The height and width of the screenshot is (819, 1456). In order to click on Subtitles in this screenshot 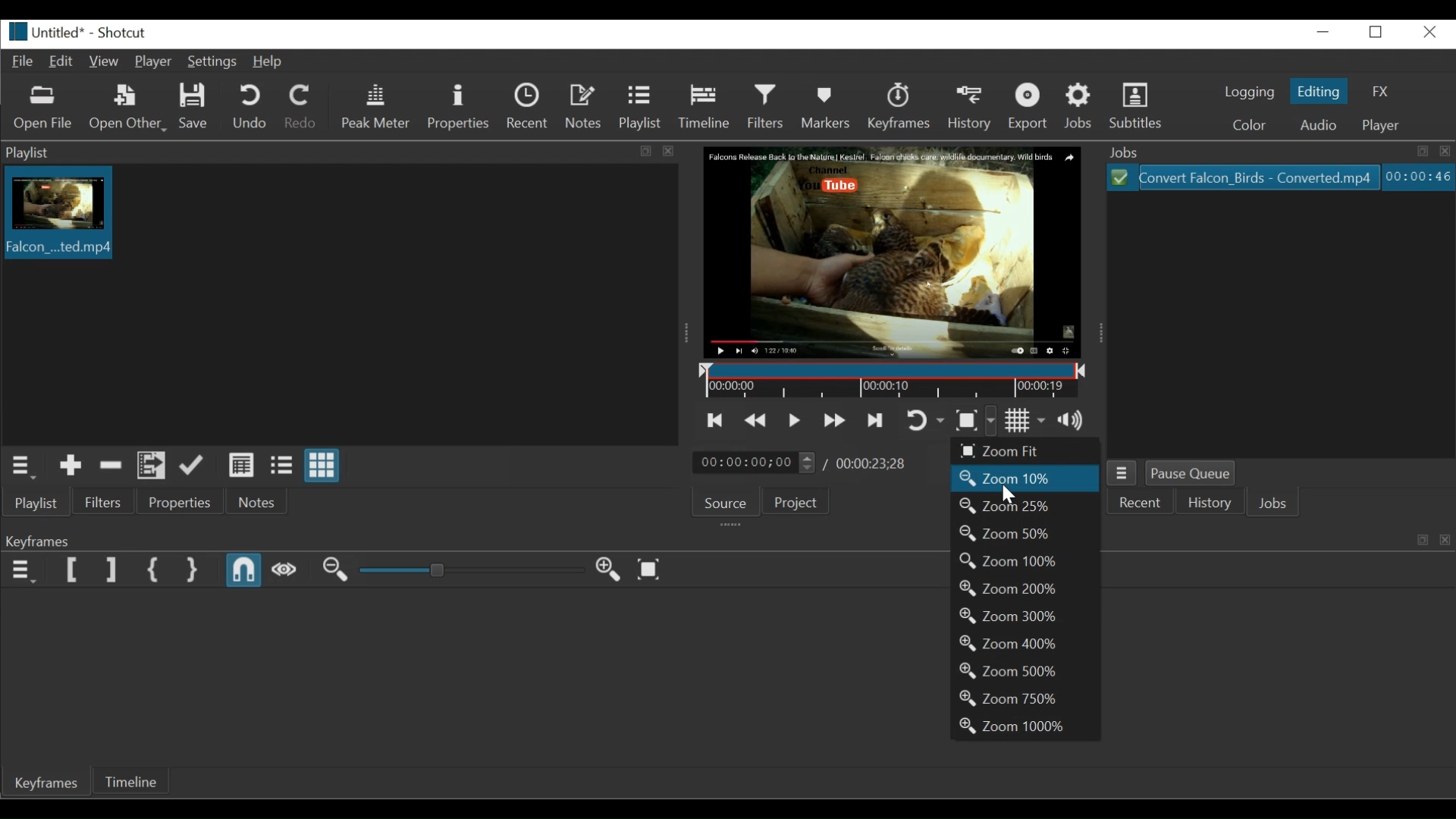, I will do `click(1141, 106)`.